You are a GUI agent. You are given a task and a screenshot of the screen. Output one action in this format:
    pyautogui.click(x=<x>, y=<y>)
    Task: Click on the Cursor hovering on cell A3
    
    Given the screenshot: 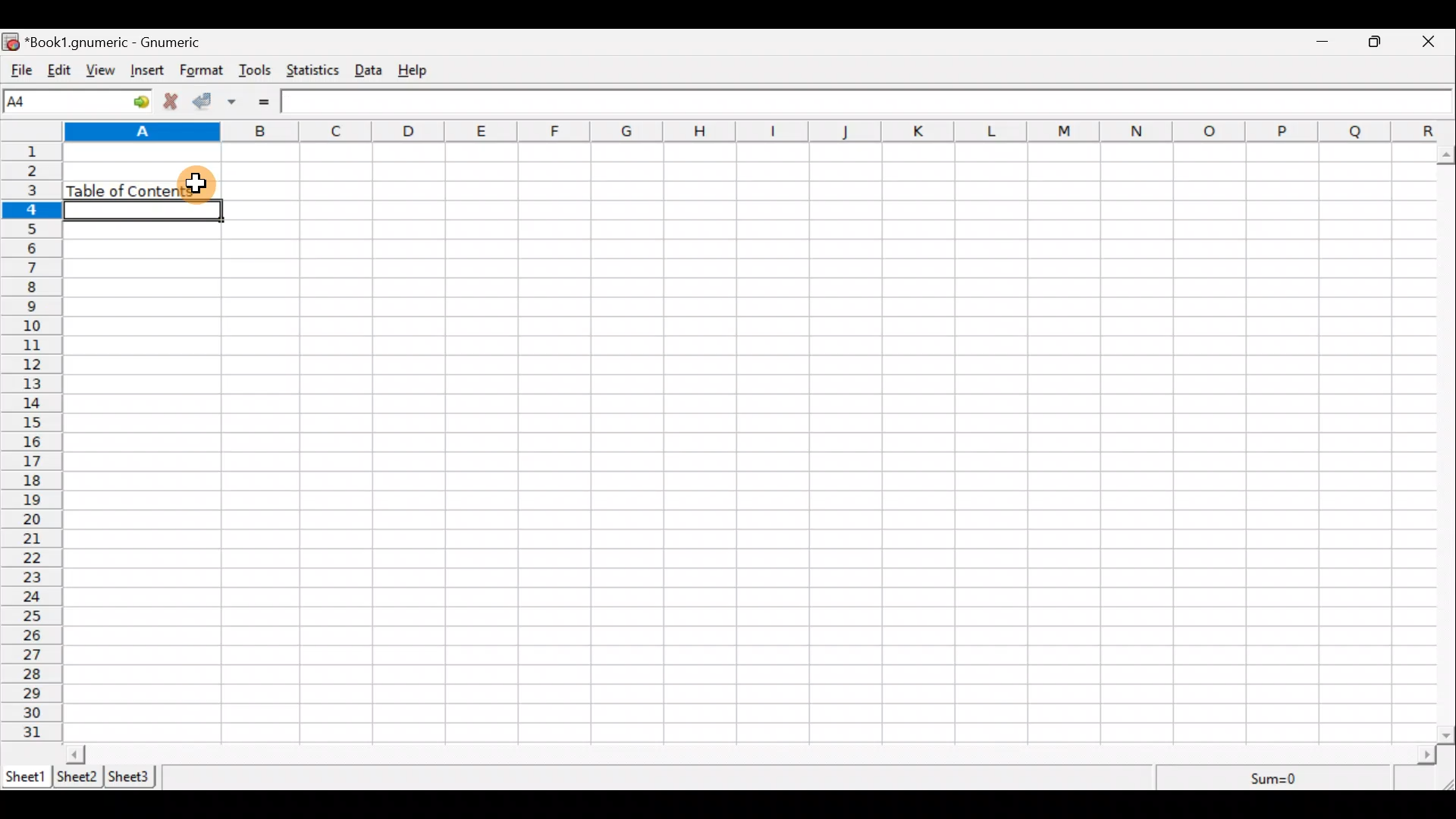 What is the action you would take?
    pyautogui.click(x=199, y=184)
    